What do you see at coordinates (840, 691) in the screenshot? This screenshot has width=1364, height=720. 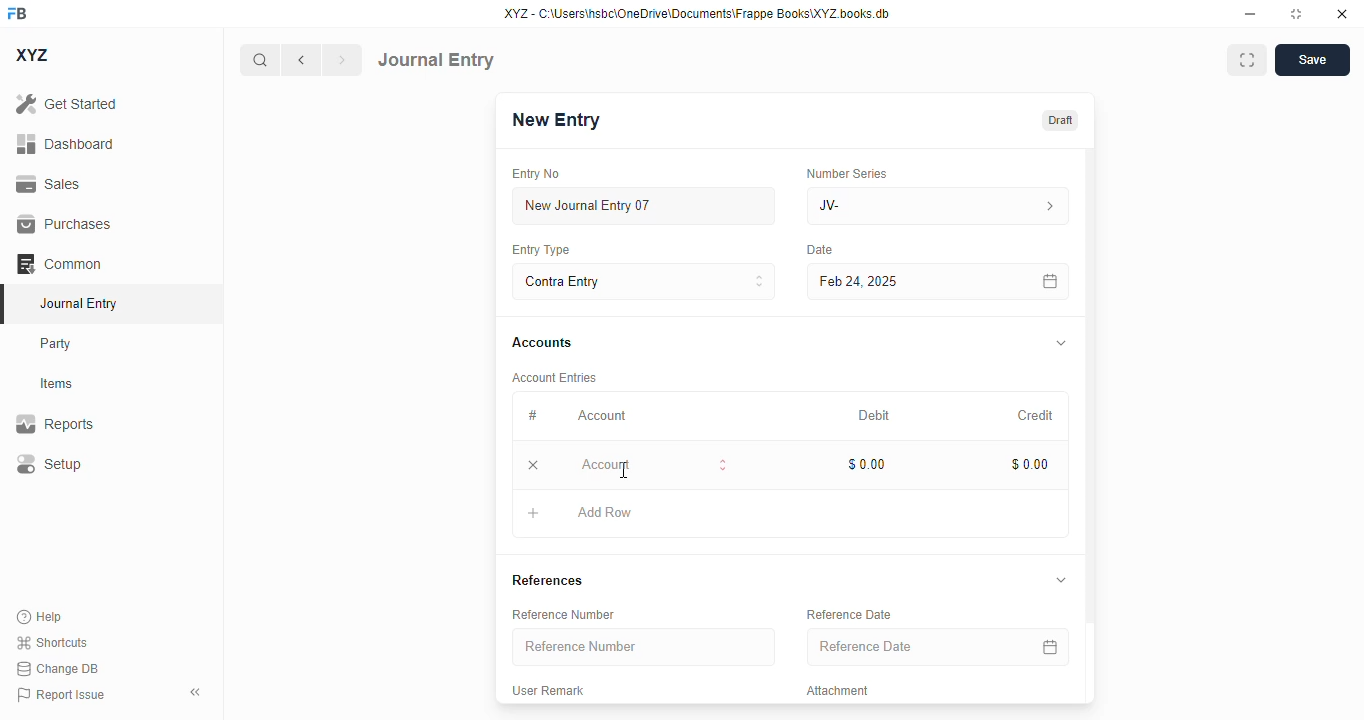 I see `attachment` at bounding box center [840, 691].